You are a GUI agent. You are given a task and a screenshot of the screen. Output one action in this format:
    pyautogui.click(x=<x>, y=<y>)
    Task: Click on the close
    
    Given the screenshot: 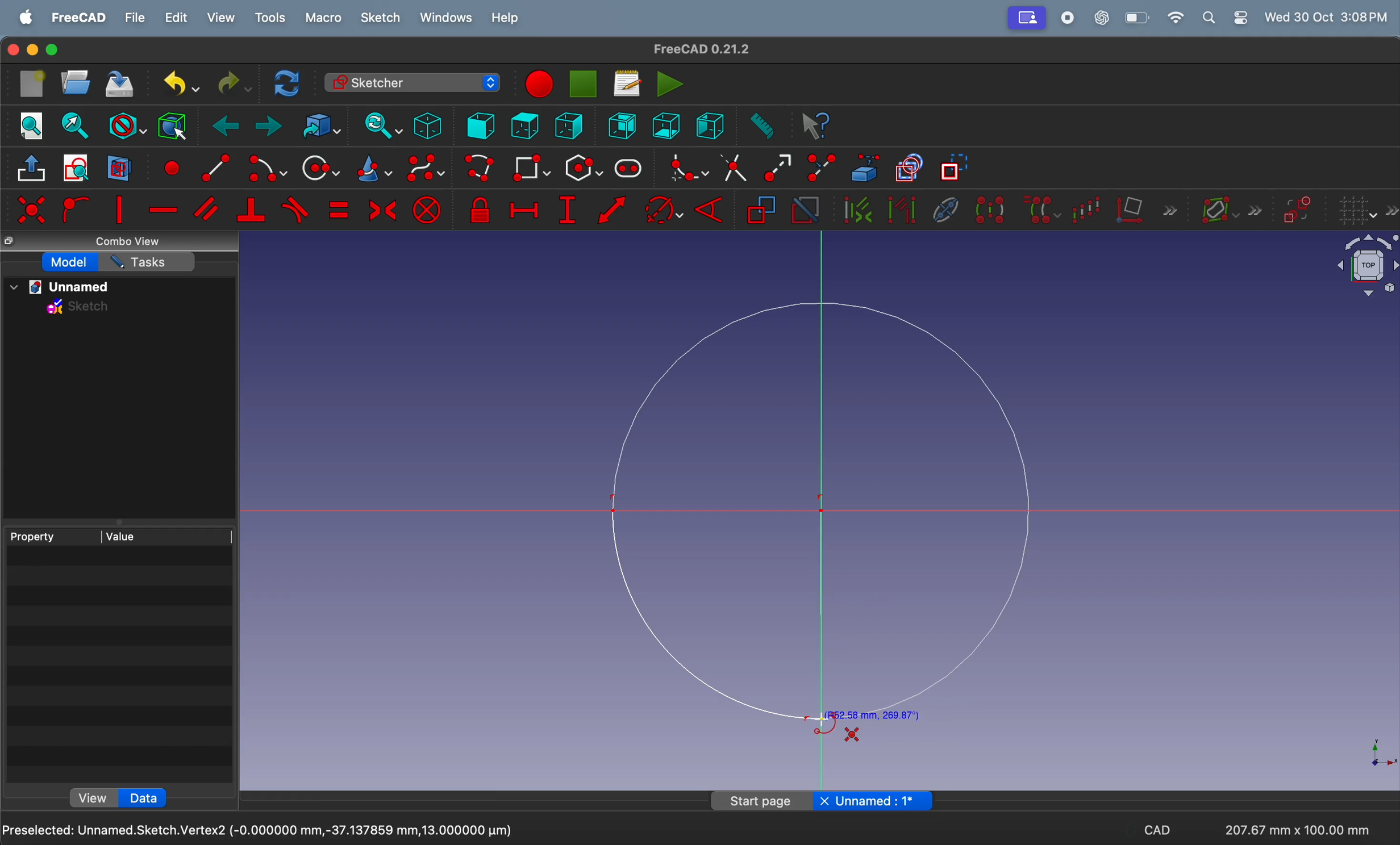 What is the action you would take?
    pyautogui.click(x=11, y=51)
    